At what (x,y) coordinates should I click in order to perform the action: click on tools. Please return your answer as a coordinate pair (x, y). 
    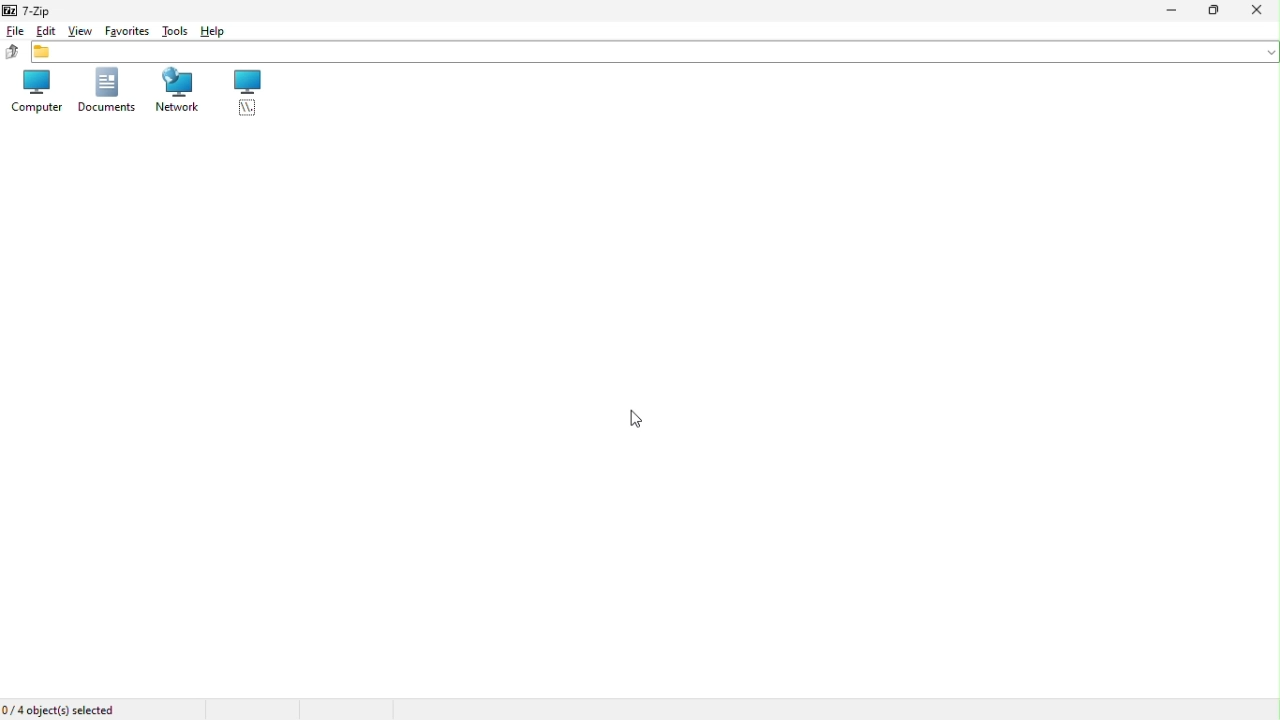
    Looking at the image, I should click on (175, 32).